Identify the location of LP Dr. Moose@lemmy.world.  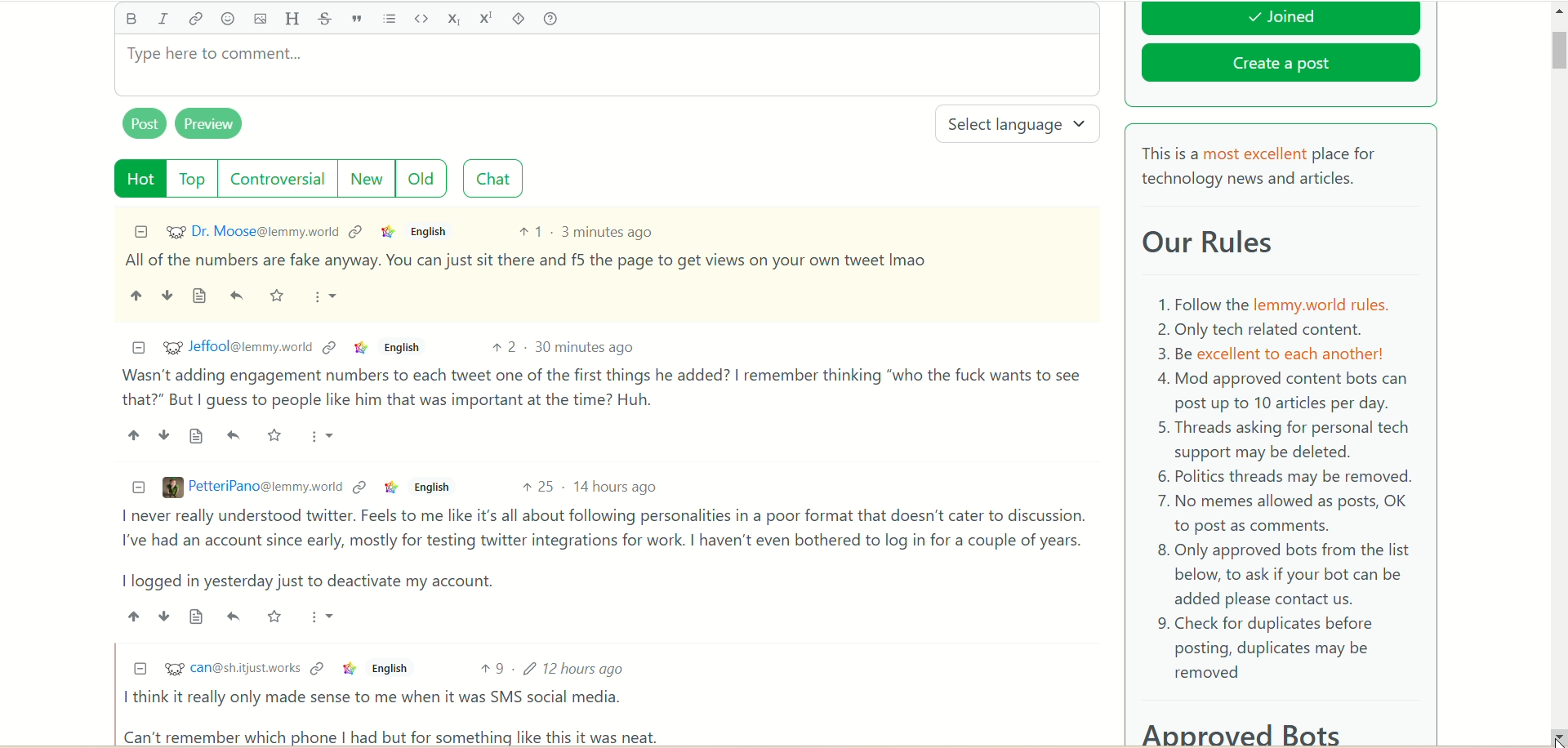
(252, 231).